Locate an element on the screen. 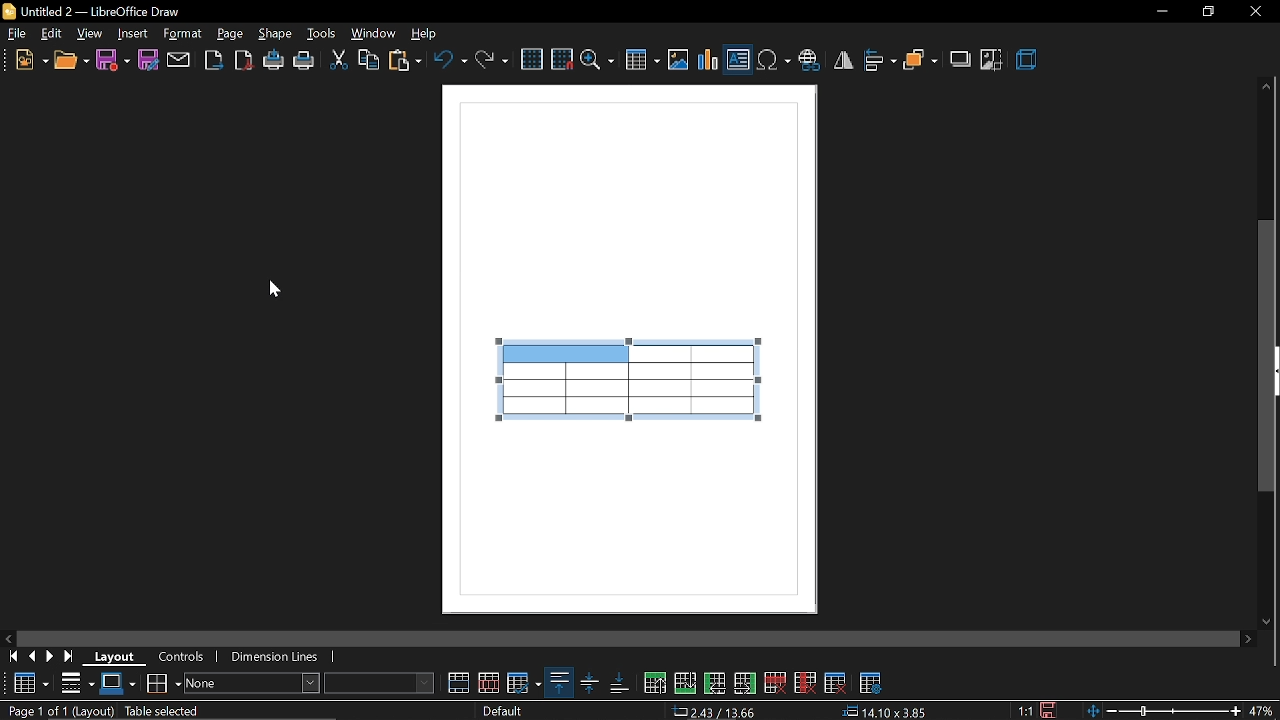  insert chart is located at coordinates (708, 58).